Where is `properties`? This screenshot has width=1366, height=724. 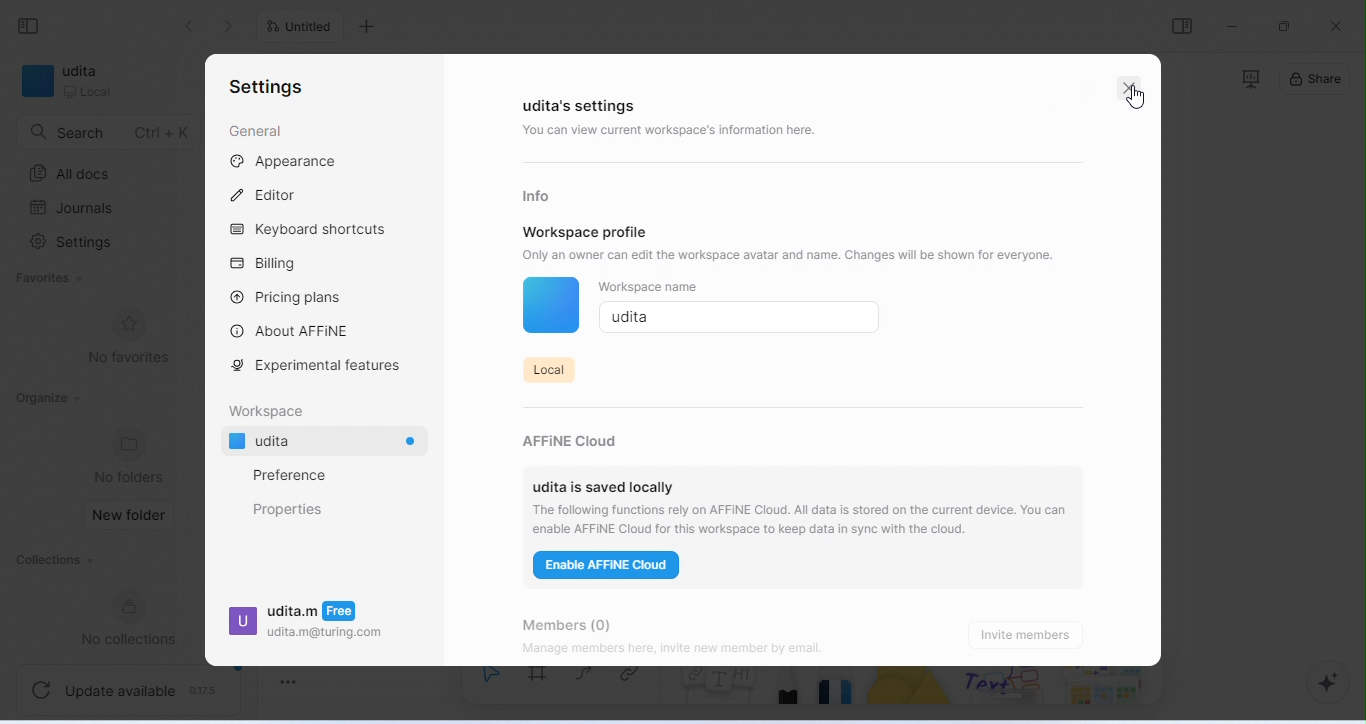
properties is located at coordinates (289, 509).